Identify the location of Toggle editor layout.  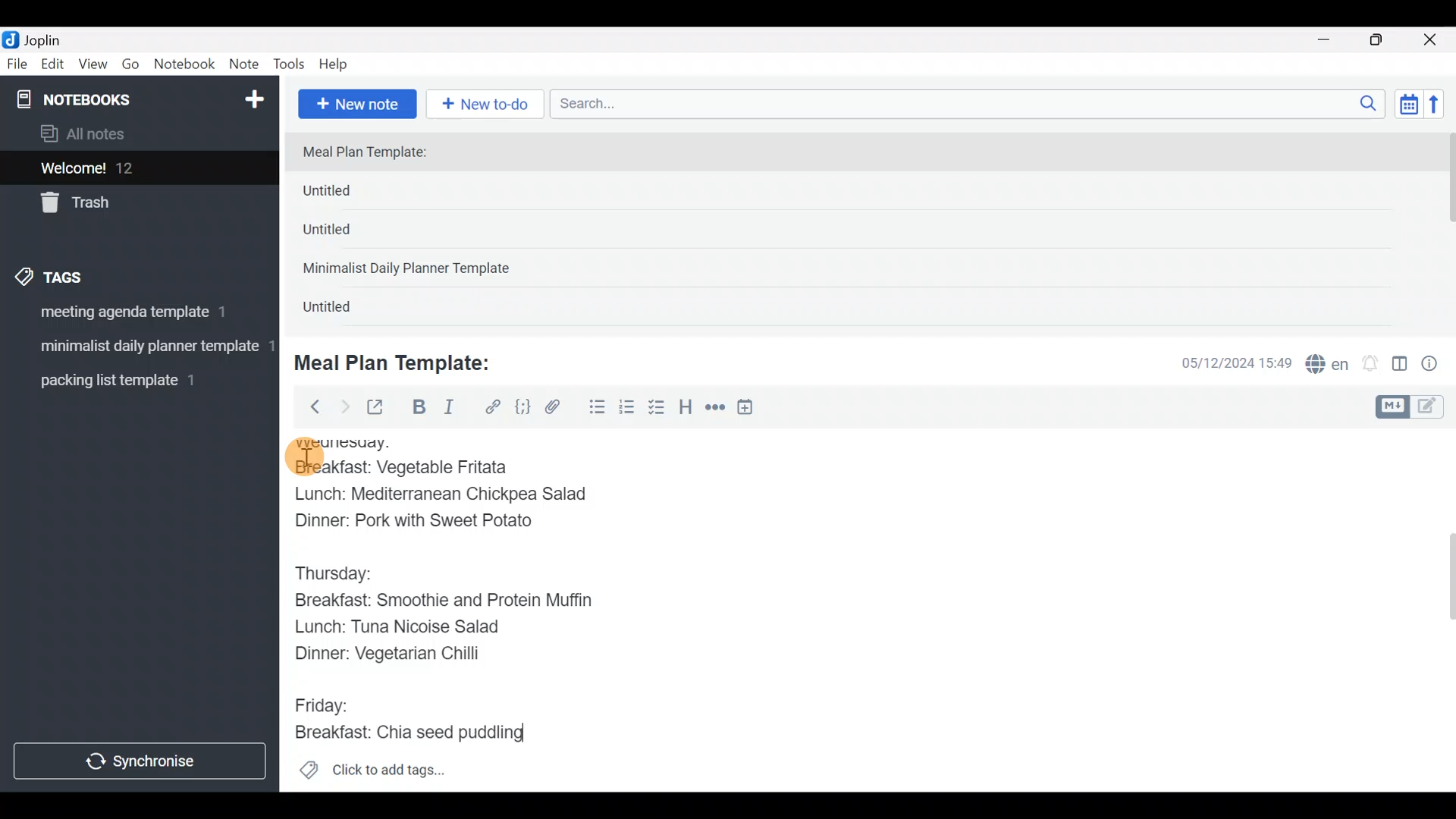
(1401, 366).